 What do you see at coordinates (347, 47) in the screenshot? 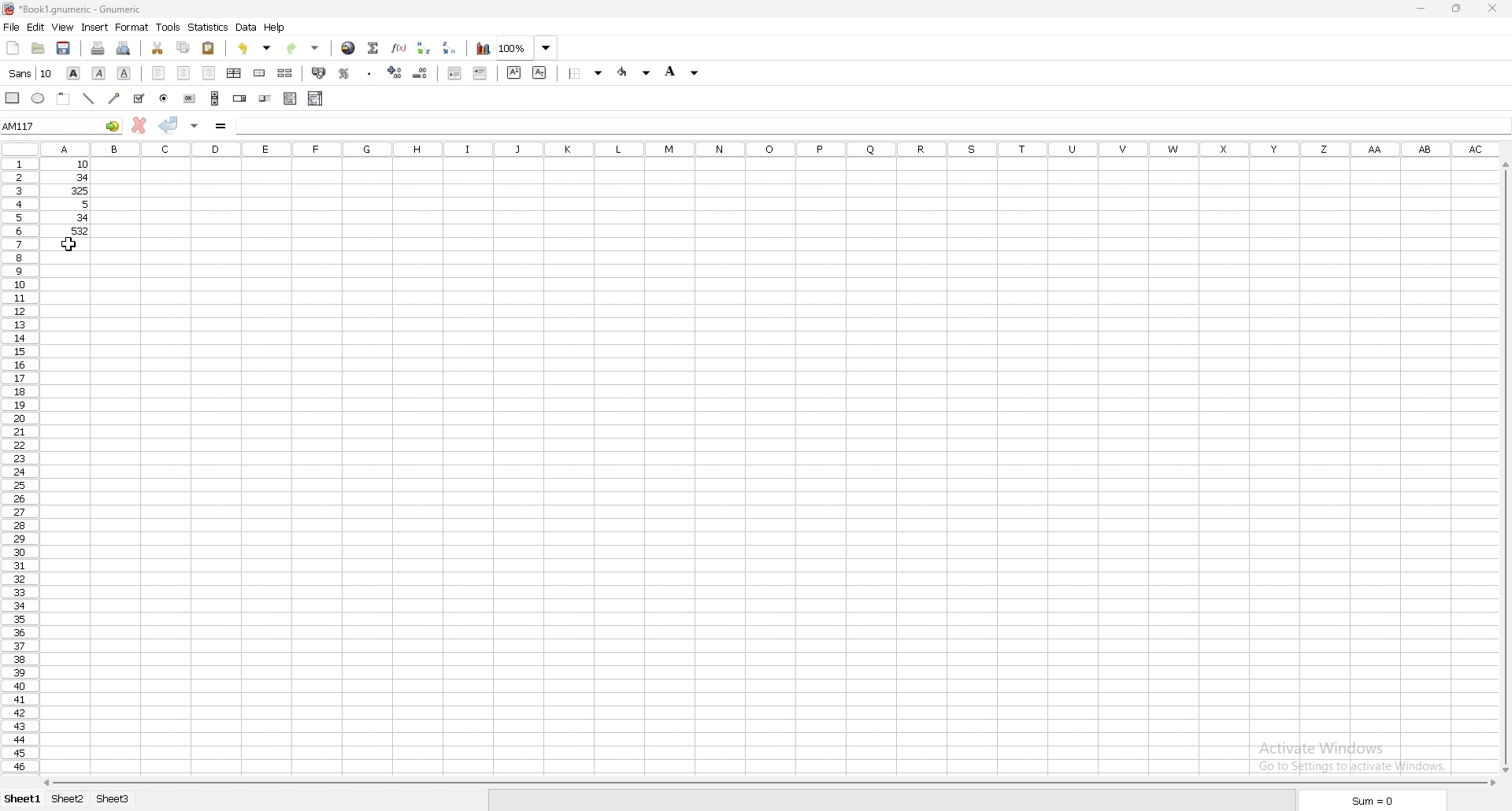
I see `hyperlink` at bounding box center [347, 47].